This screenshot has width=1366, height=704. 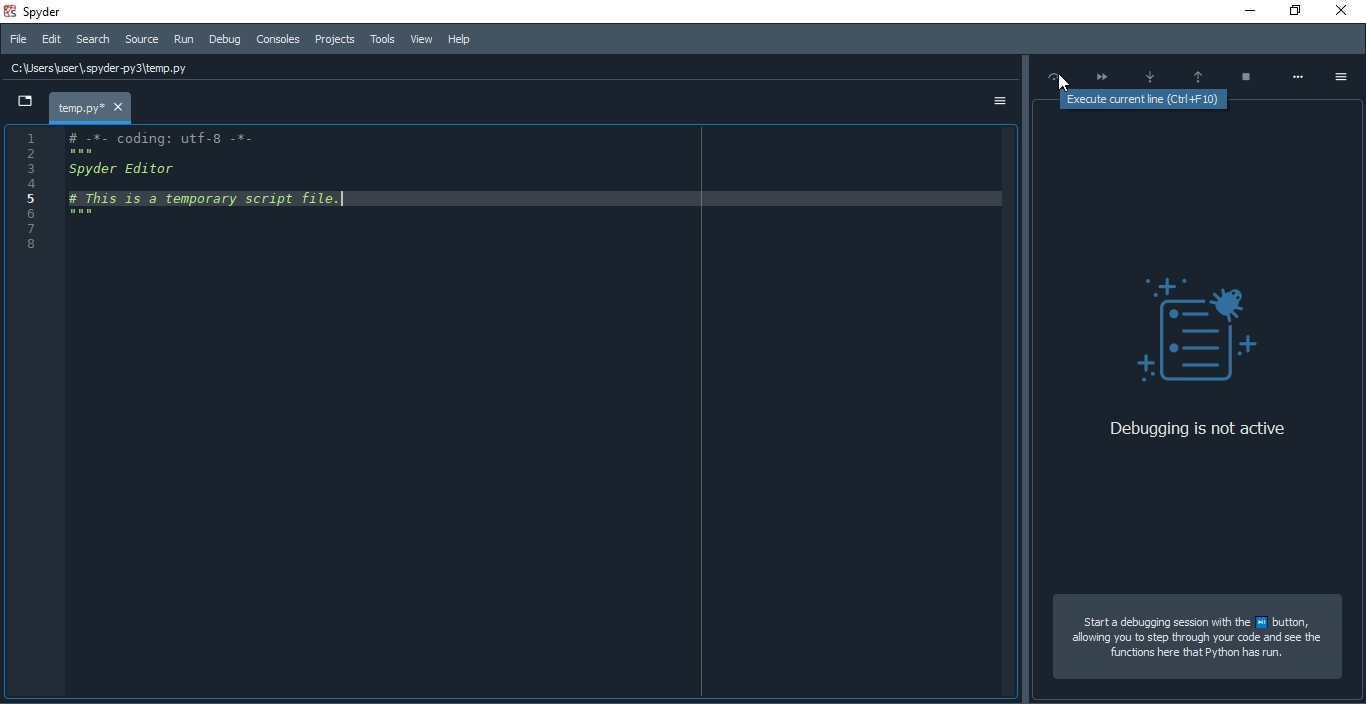 I want to click on Step into function or method, so click(x=1152, y=73).